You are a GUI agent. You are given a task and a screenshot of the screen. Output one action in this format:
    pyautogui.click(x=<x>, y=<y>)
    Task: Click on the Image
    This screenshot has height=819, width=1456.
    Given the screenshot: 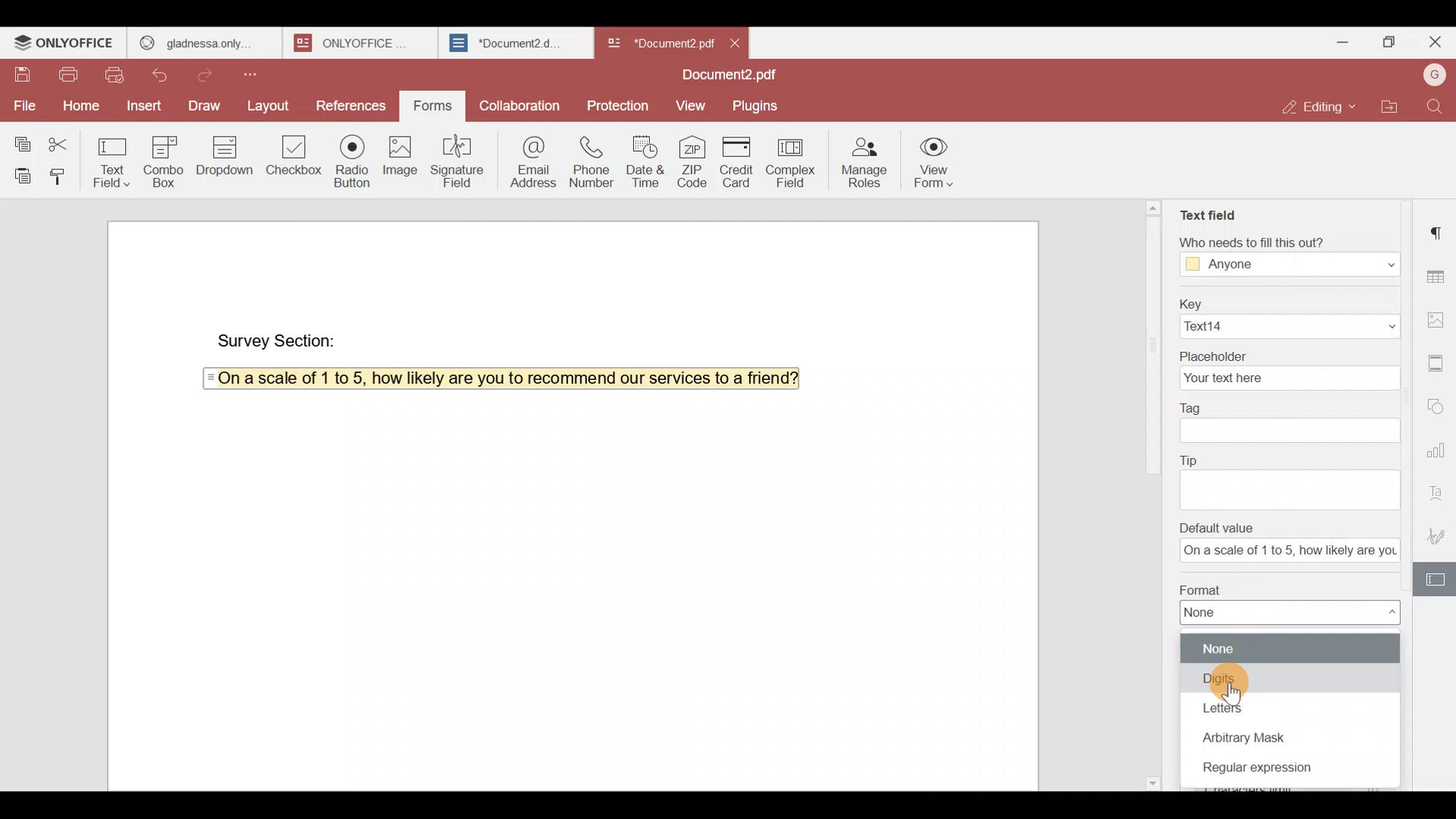 What is the action you would take?
    pyautogui.click(x=399, y=158)
    